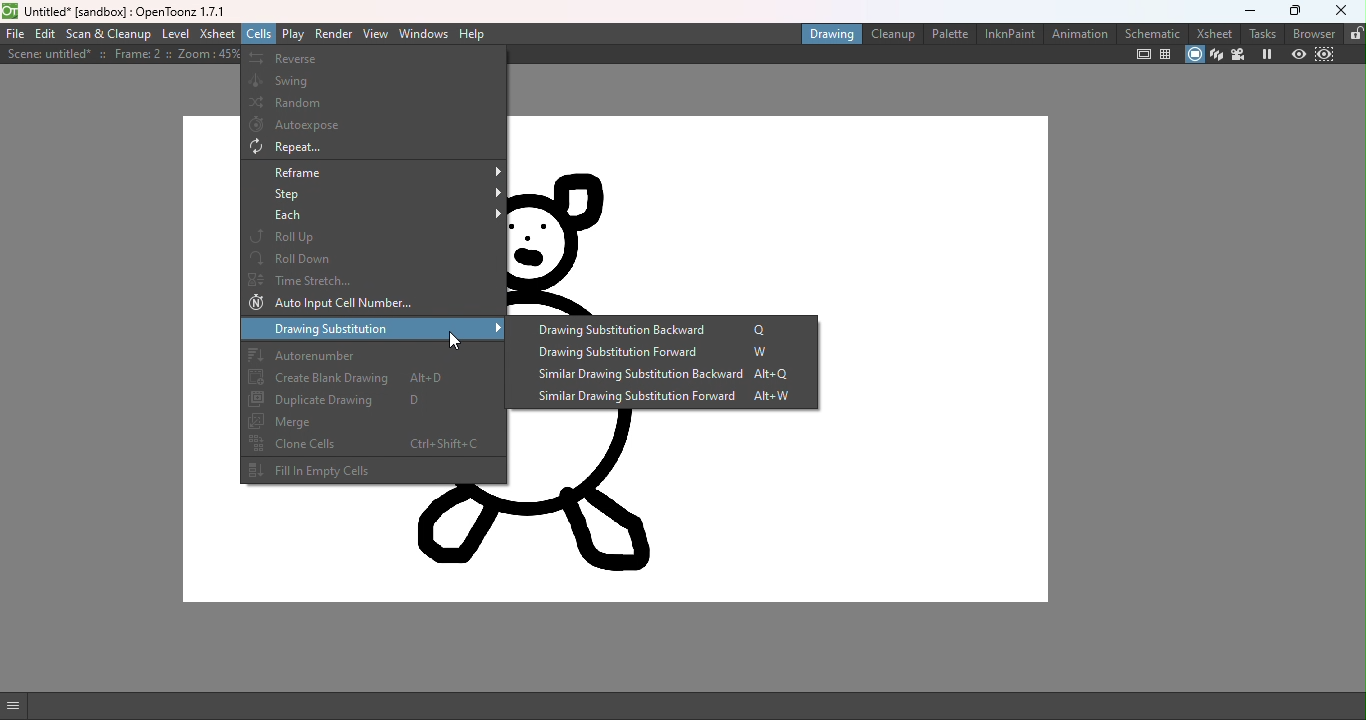 The width and height of the screenshot is (1366, 720). Describe the element at coordinates (373, 148) in the screenshot. I see `Repeat` at that location.